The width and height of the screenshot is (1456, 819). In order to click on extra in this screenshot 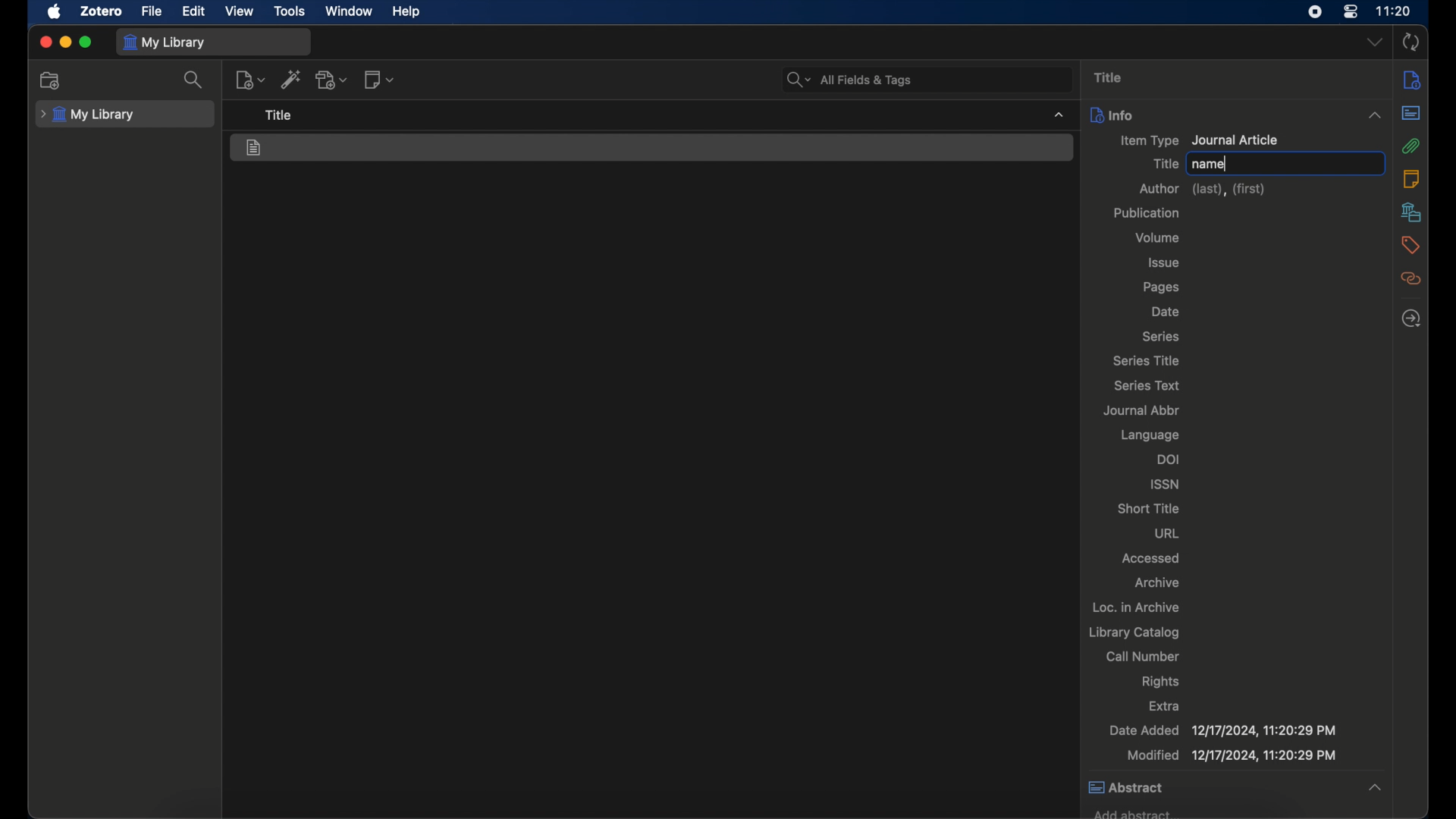, I will do `click(1164, 704)`.